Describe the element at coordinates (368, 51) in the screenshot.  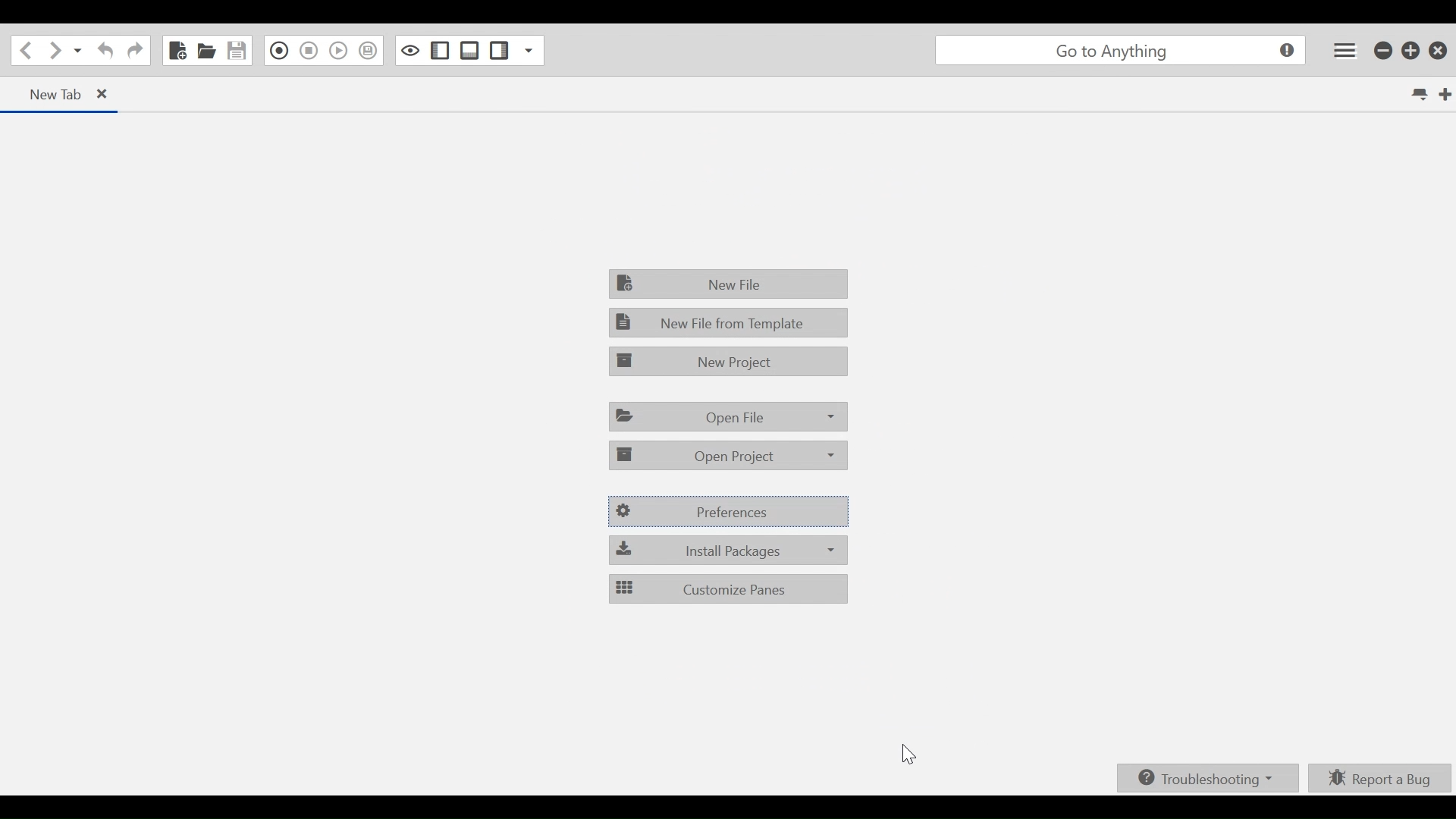
I see `Stop Recording in Macro` at that location.